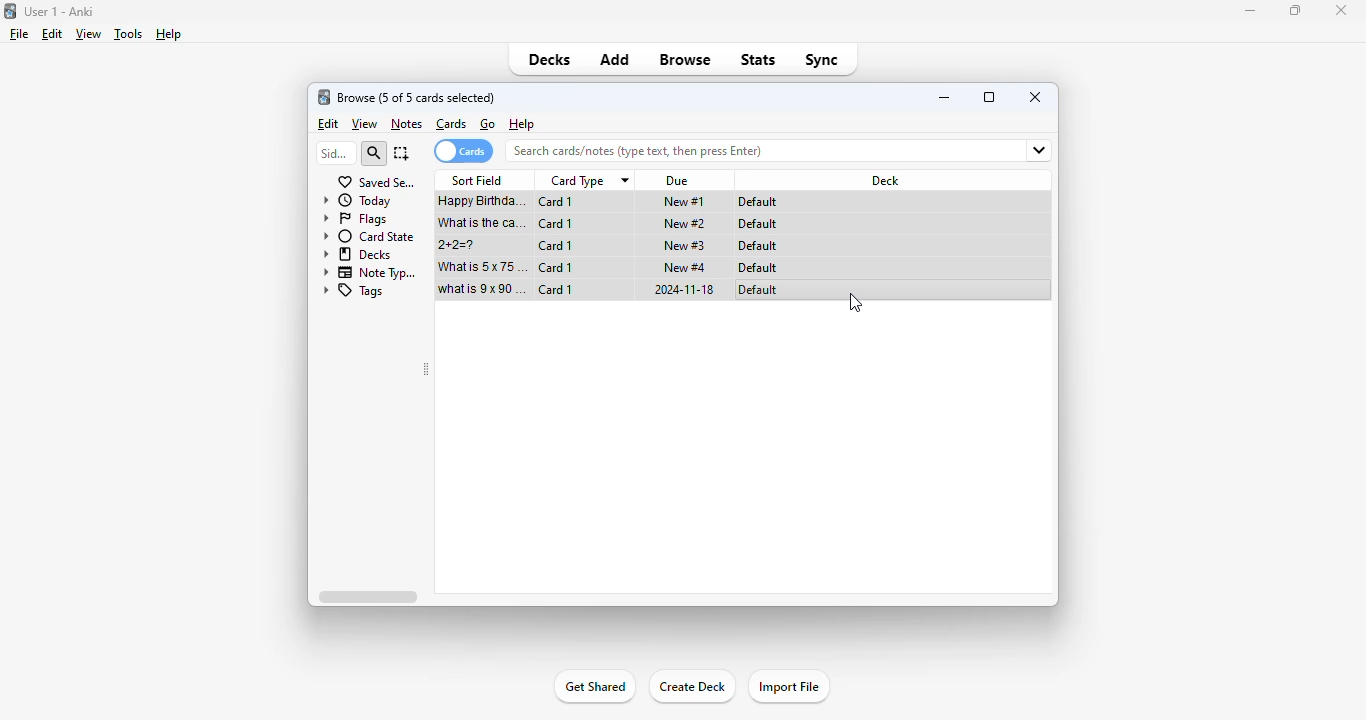 This screenshot has height=720, width=1366. I want to click on what is 5x75=?, so click(480, 266).